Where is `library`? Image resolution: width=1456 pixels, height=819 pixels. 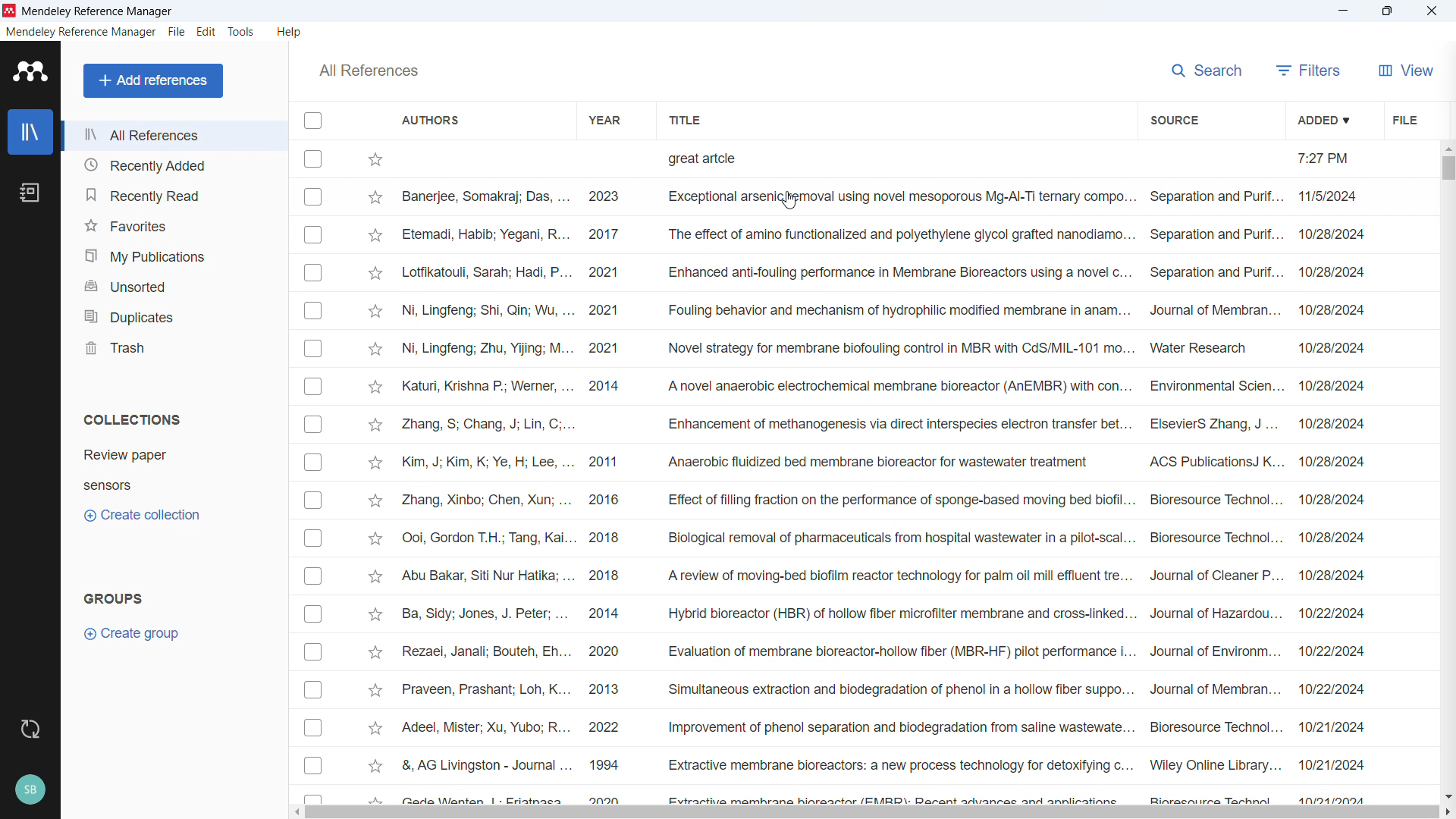
library is located at coordinates (30, 132).